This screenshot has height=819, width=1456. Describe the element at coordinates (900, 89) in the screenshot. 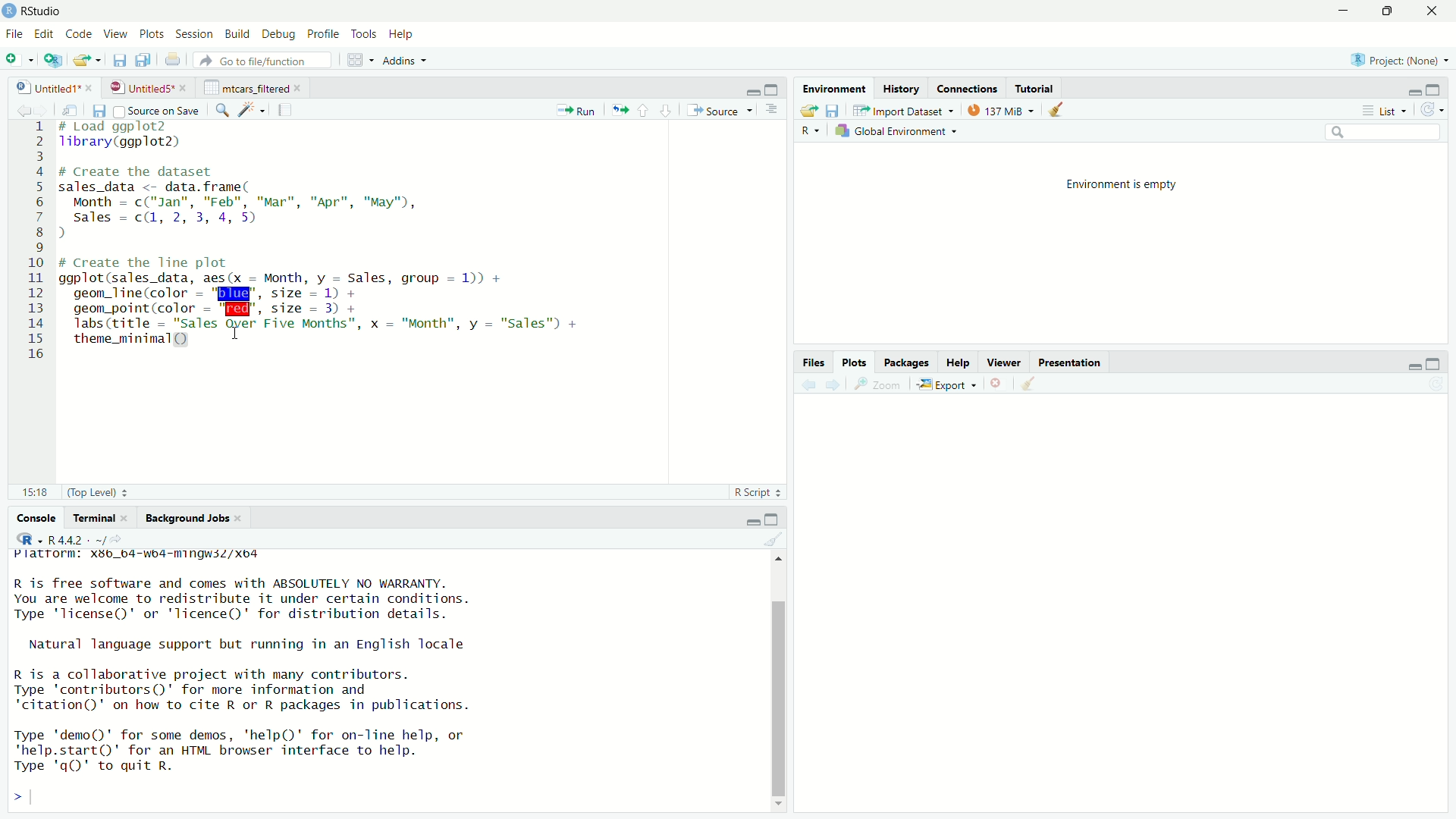

I see `History` at that location.